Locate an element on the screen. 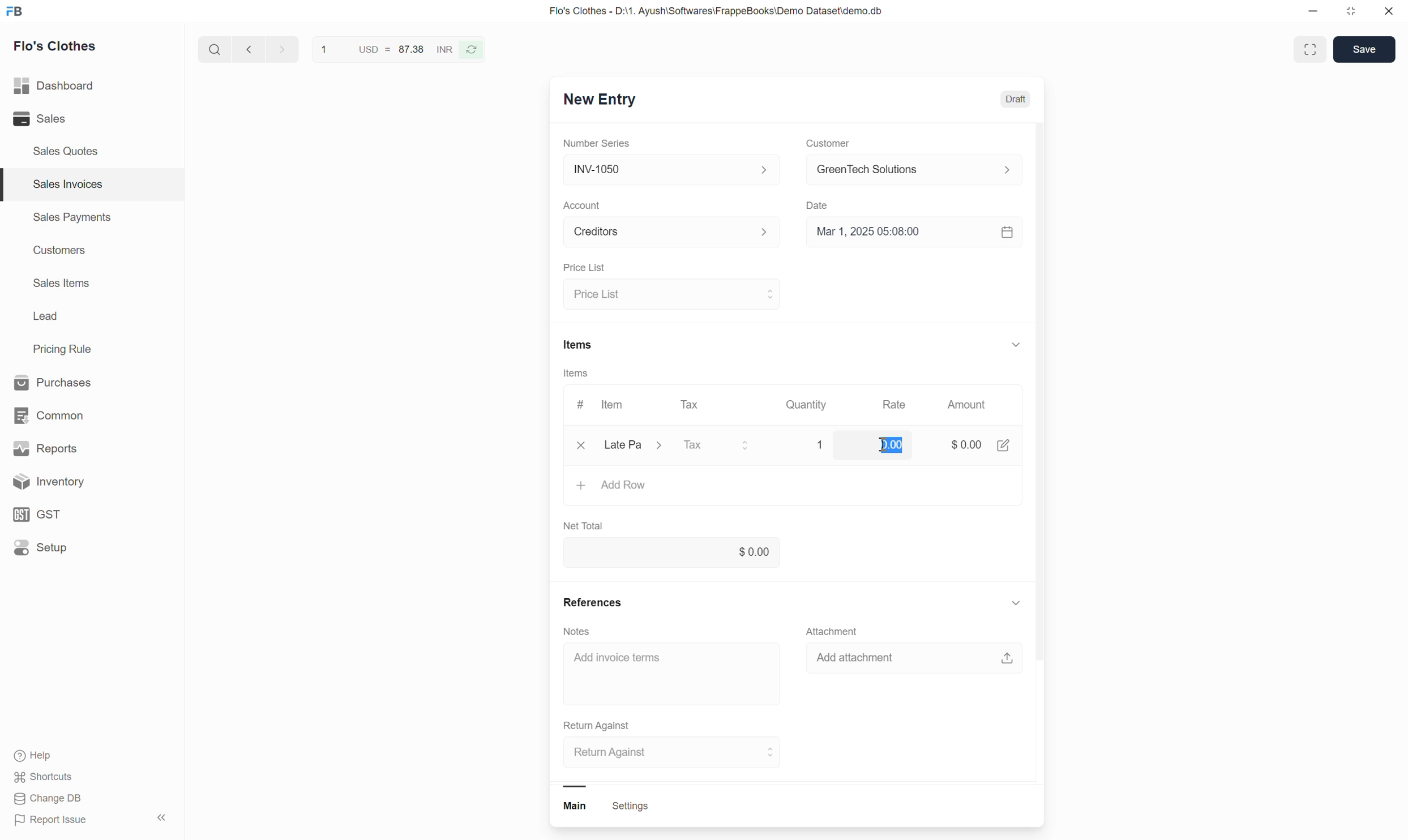 This screenshot has height=840, width=1408. edit amount  is located at coordinates (1006, 446).